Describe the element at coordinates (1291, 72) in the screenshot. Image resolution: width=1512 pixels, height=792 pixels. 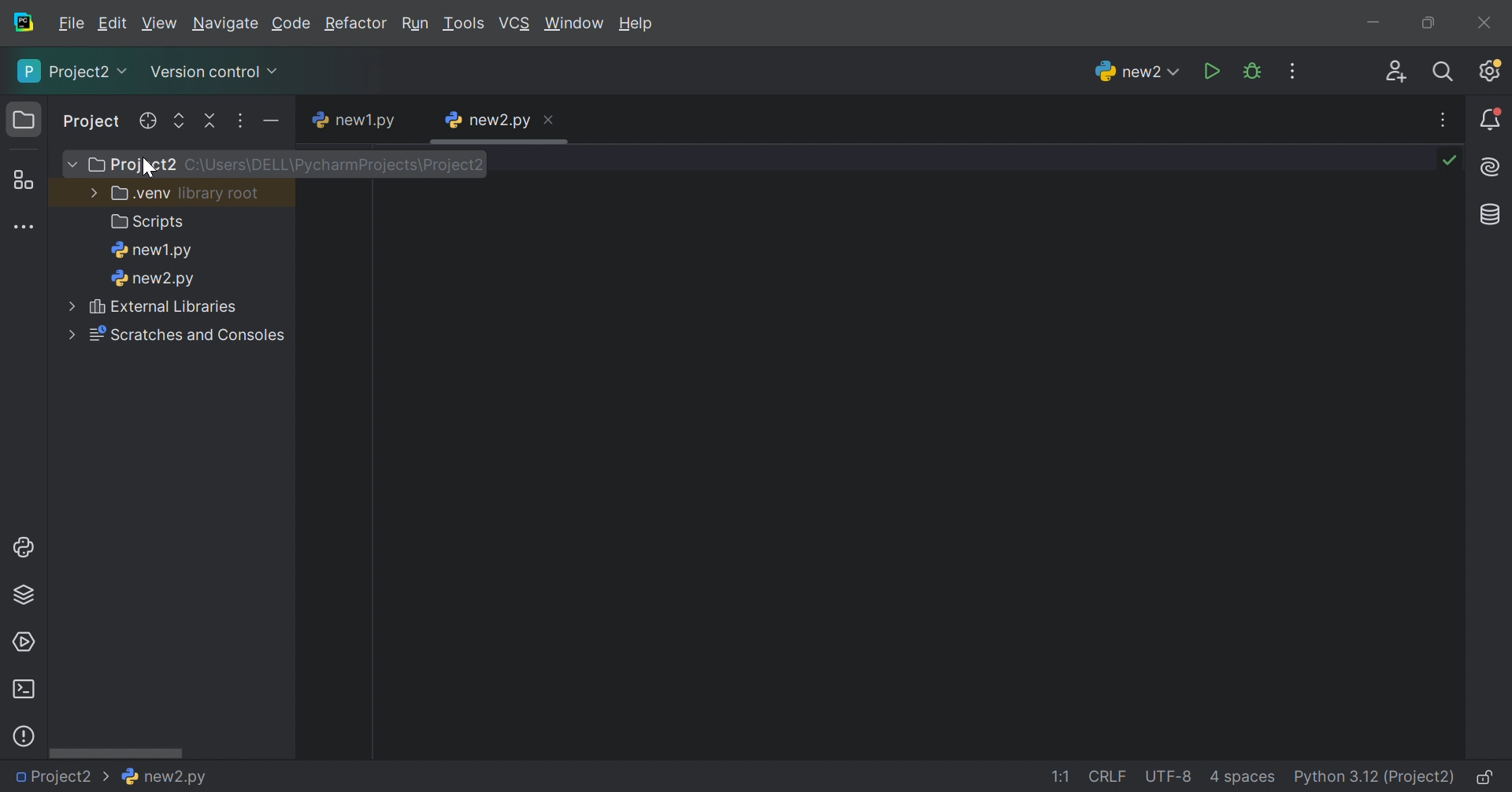
I see `More actions` at that location.